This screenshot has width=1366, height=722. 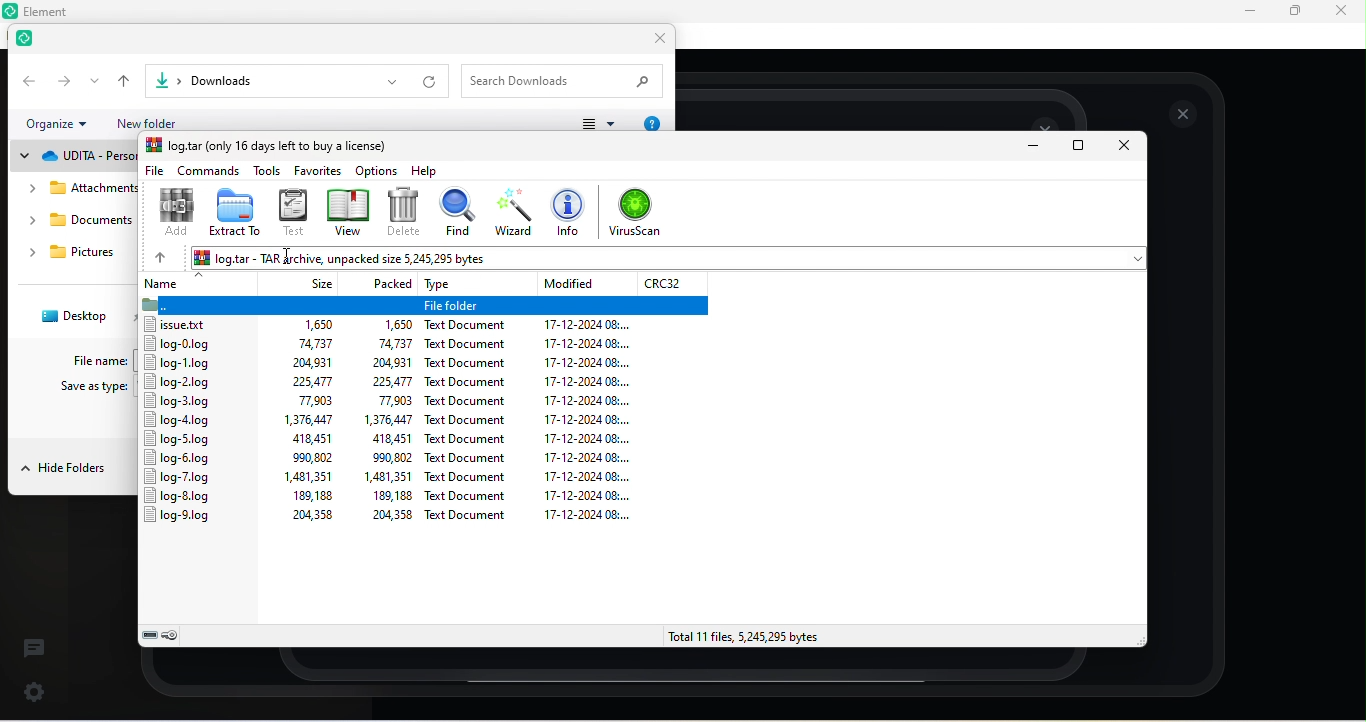 I want to click on up to previous folder, so click(x=126, y=81).